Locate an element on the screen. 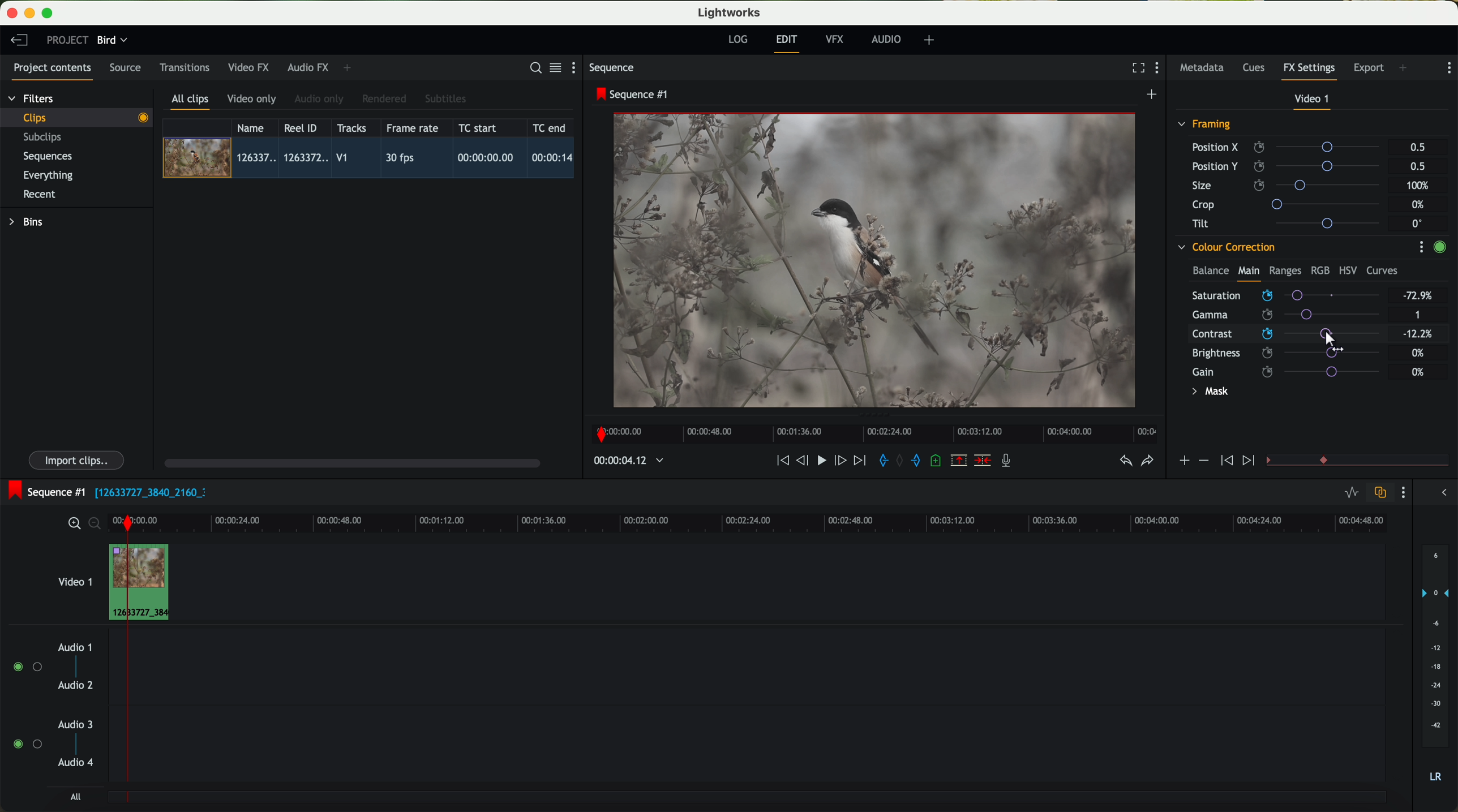 The height and width of the screenshot is (812, 1458). sequence is located at coordinates (612, 68).